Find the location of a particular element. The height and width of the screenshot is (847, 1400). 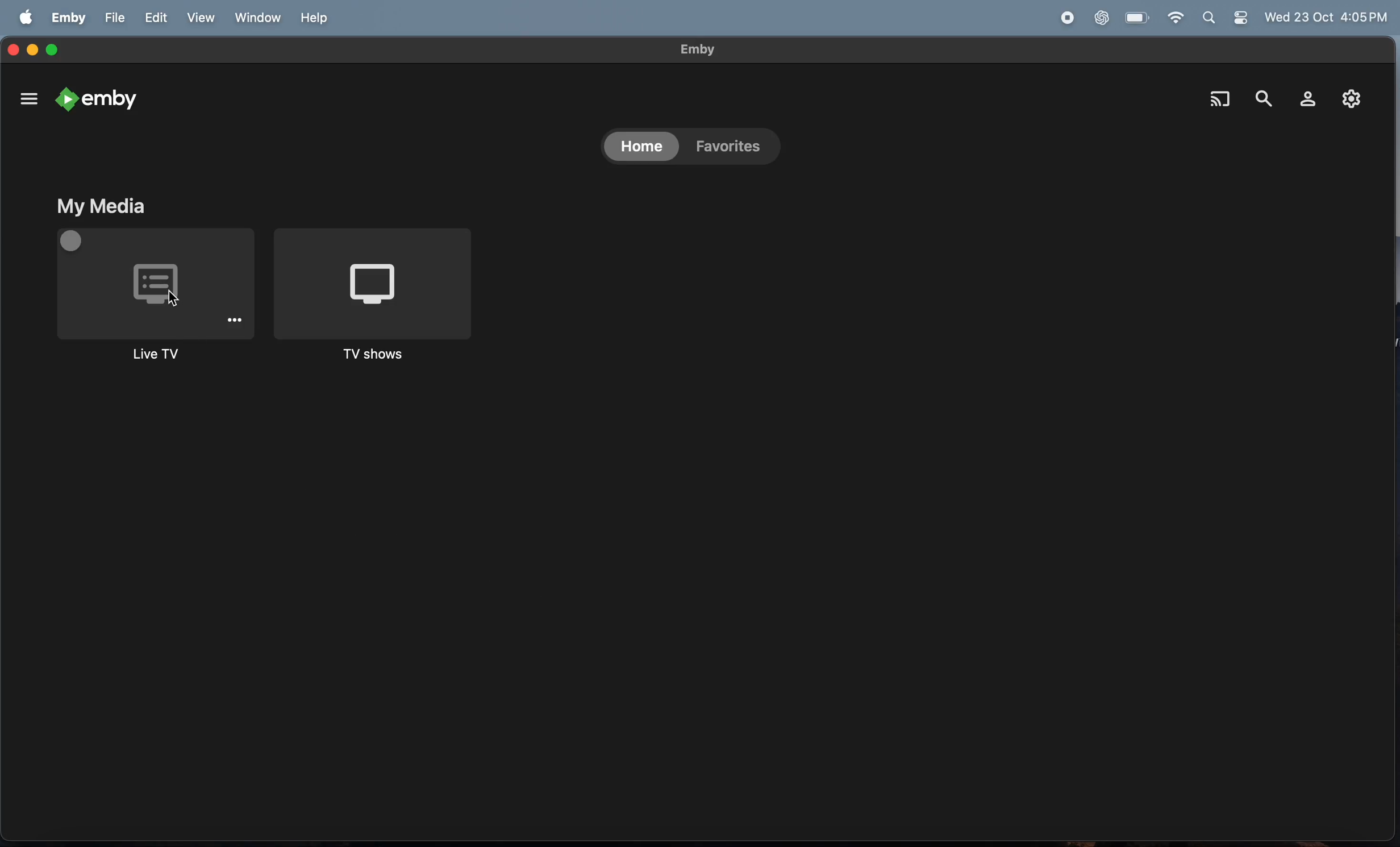

emby is located at coordinates (69, 17).